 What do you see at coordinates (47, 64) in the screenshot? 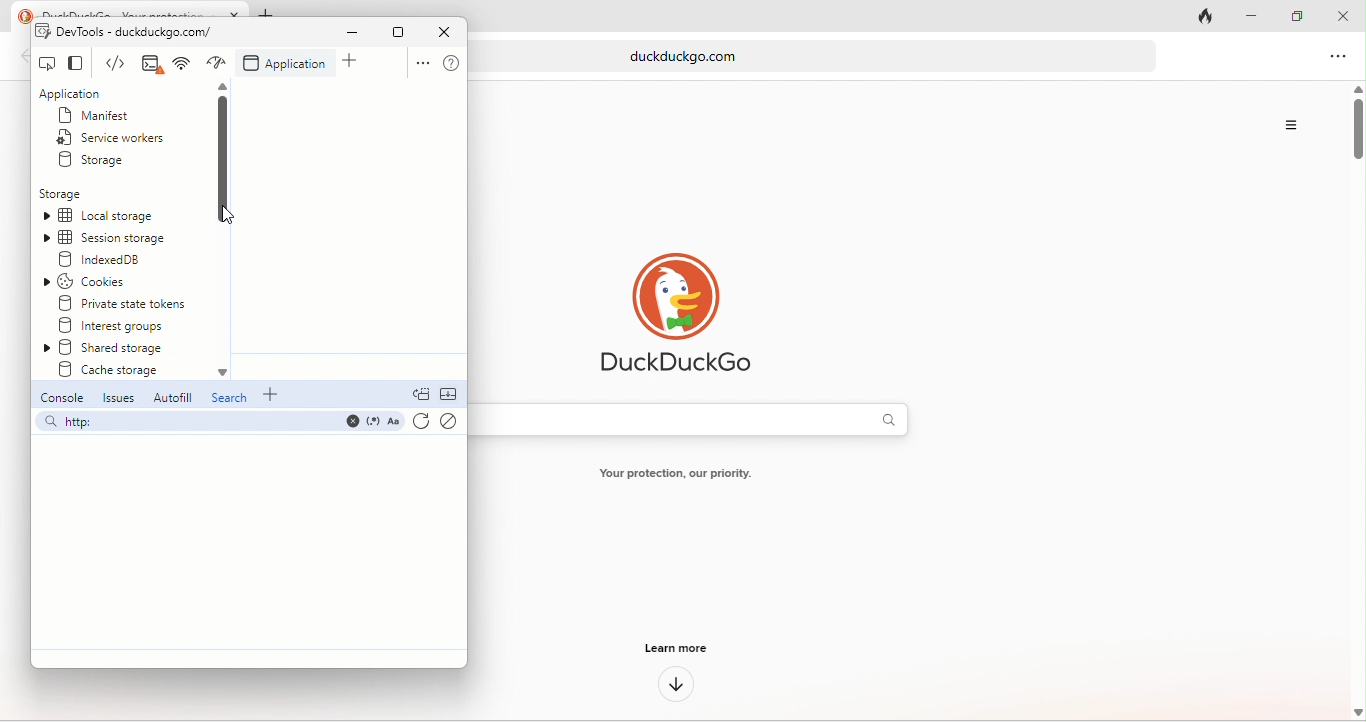
I see `inspect` at bounding box center [47, 64].